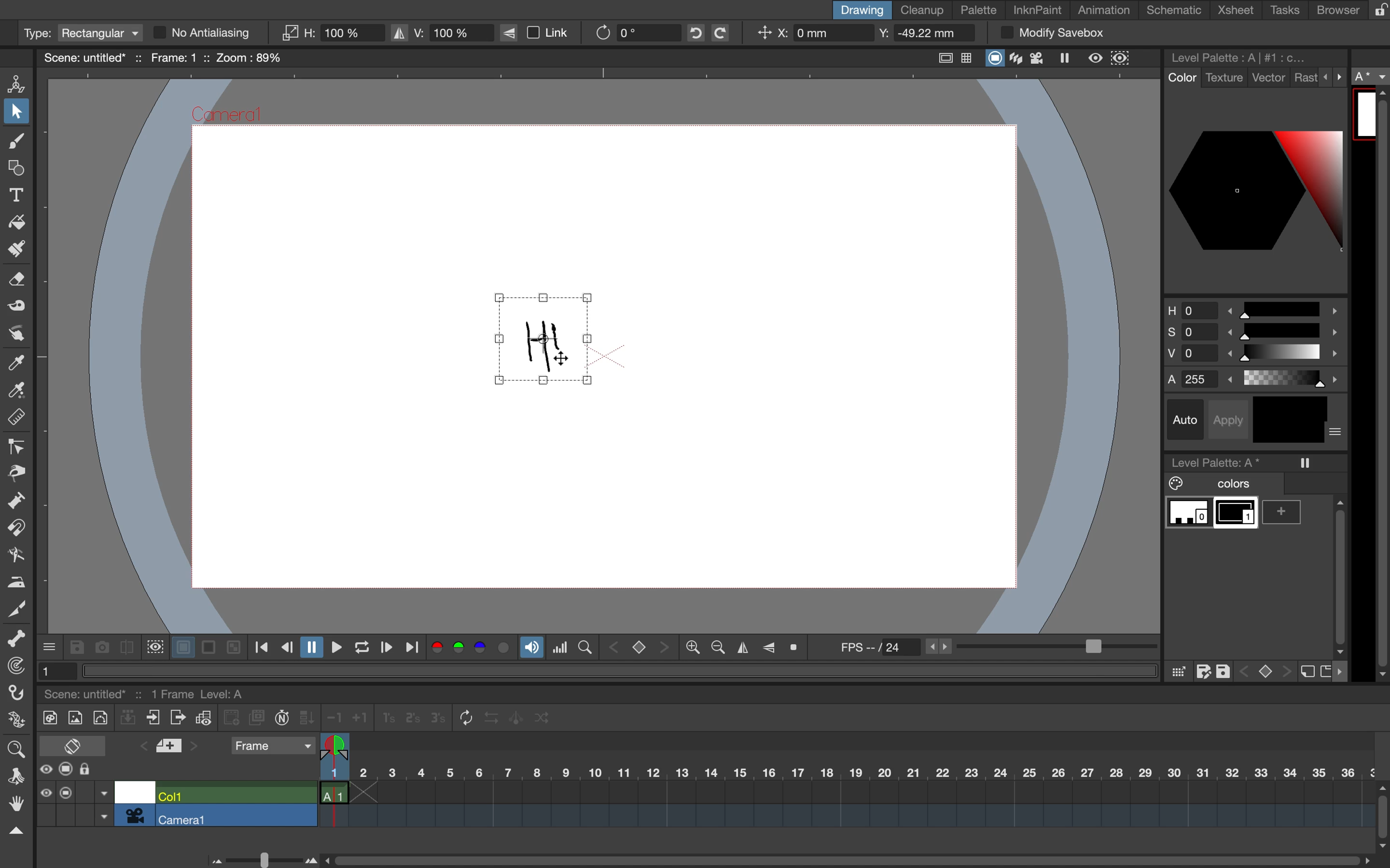 The width and height of the screenshot is (1390, 868). I want to click on sidebar vertical scroll bar, so click(1380, 385).